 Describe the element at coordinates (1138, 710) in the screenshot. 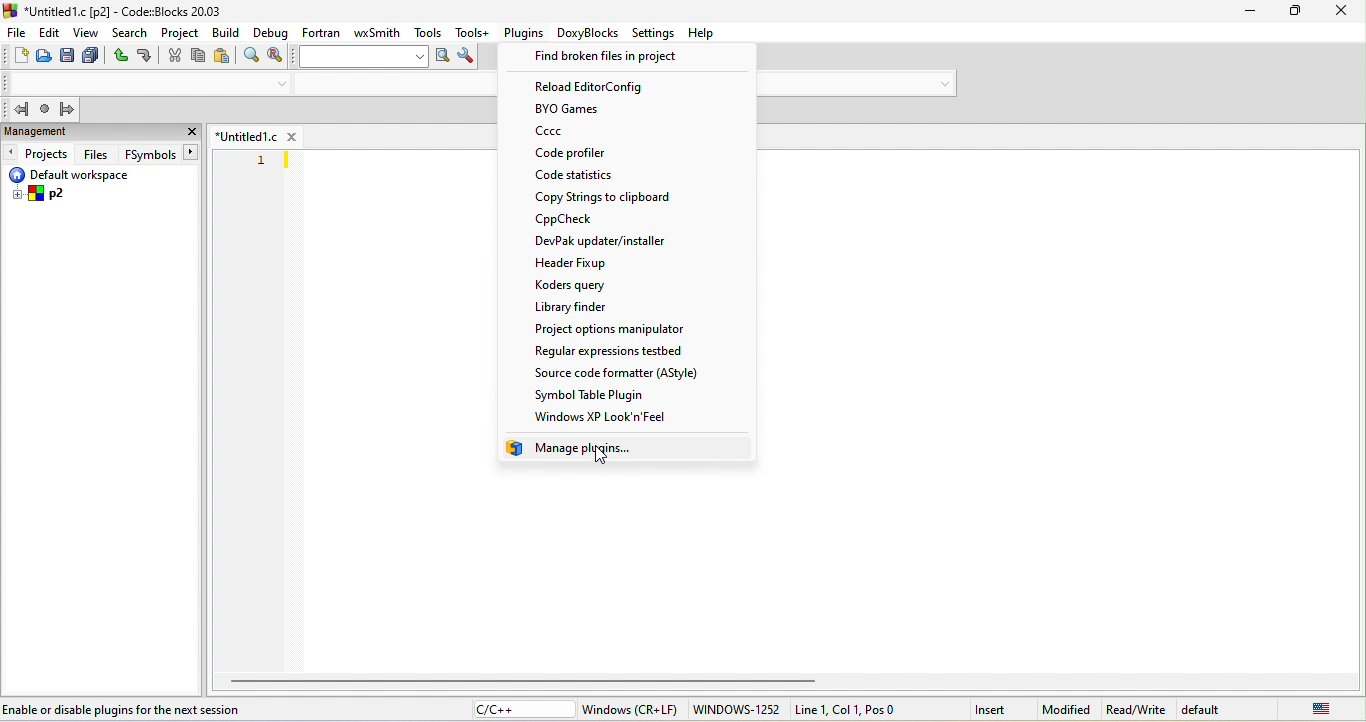

I see `read\write` at that location.